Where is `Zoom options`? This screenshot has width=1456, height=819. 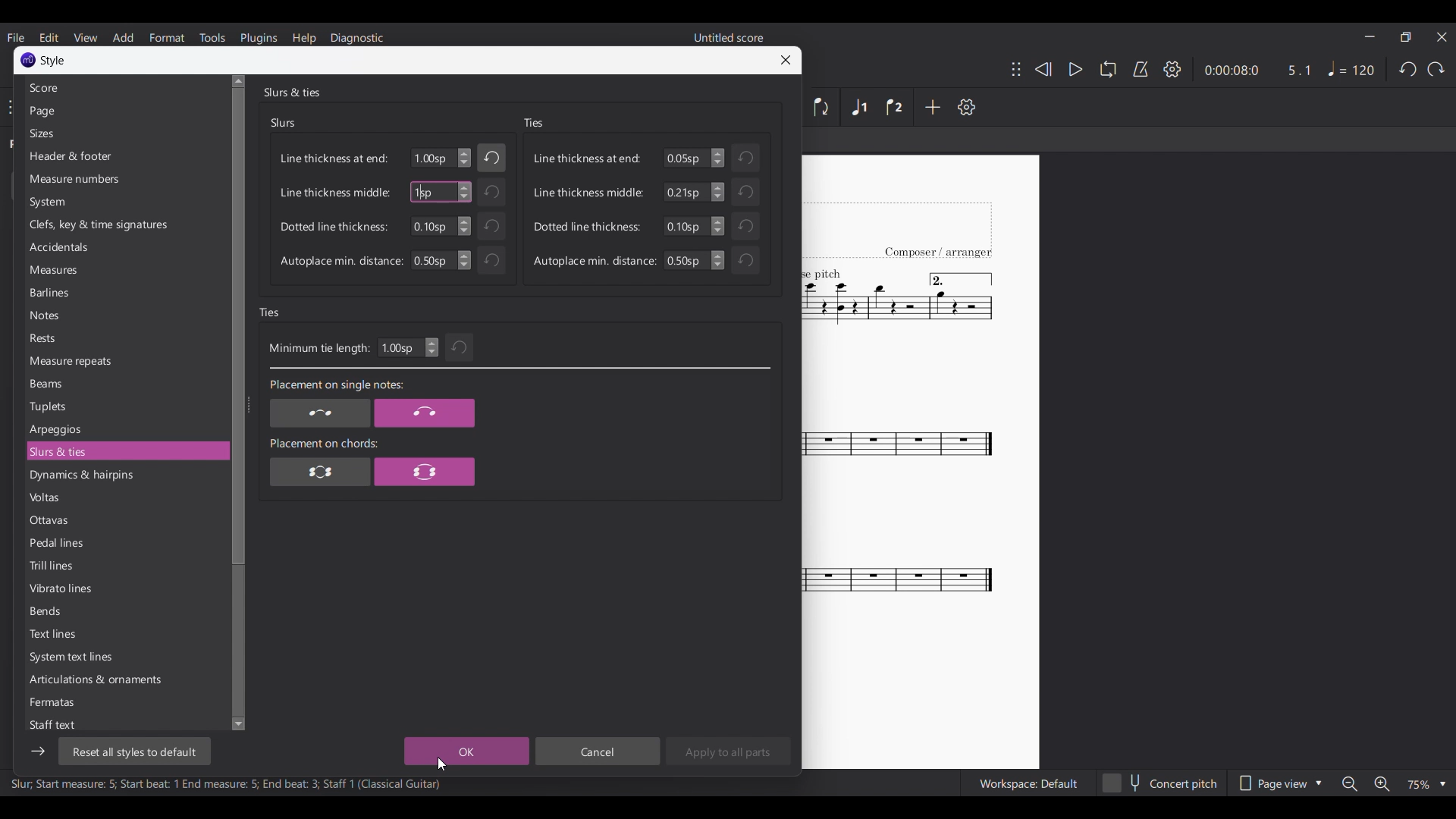
Zoom options is located at coordinates (1426, 784).